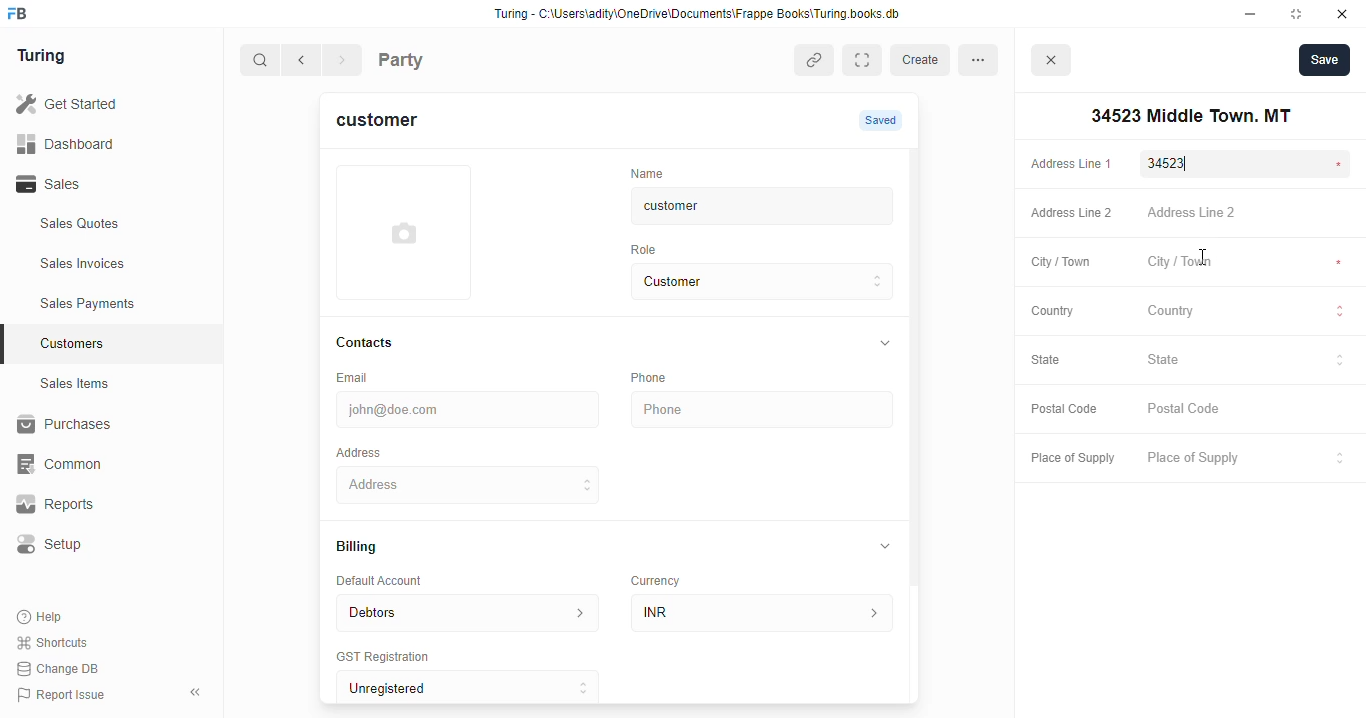 The height and width of the screenshot is (718, 1366). I want to click on Saved, so click(883, 120).